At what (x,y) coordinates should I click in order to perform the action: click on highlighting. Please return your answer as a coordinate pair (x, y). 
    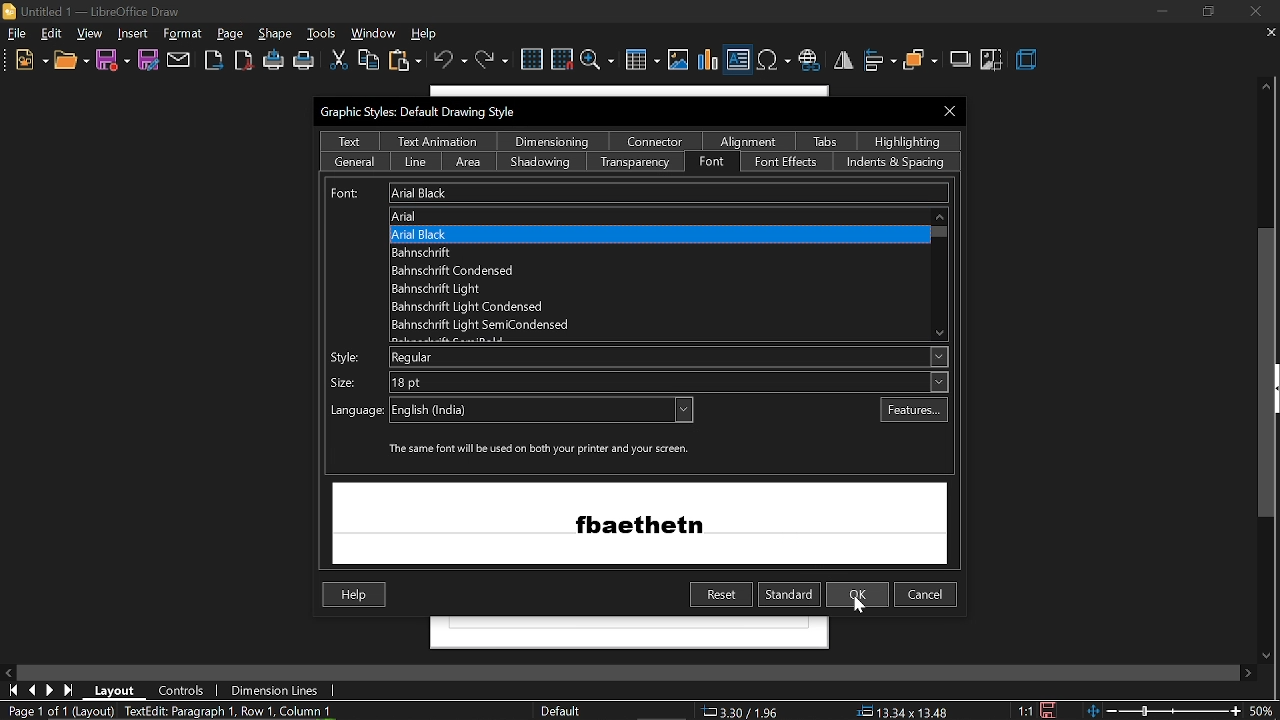
    Looking at the image, I should click on (910, 141).